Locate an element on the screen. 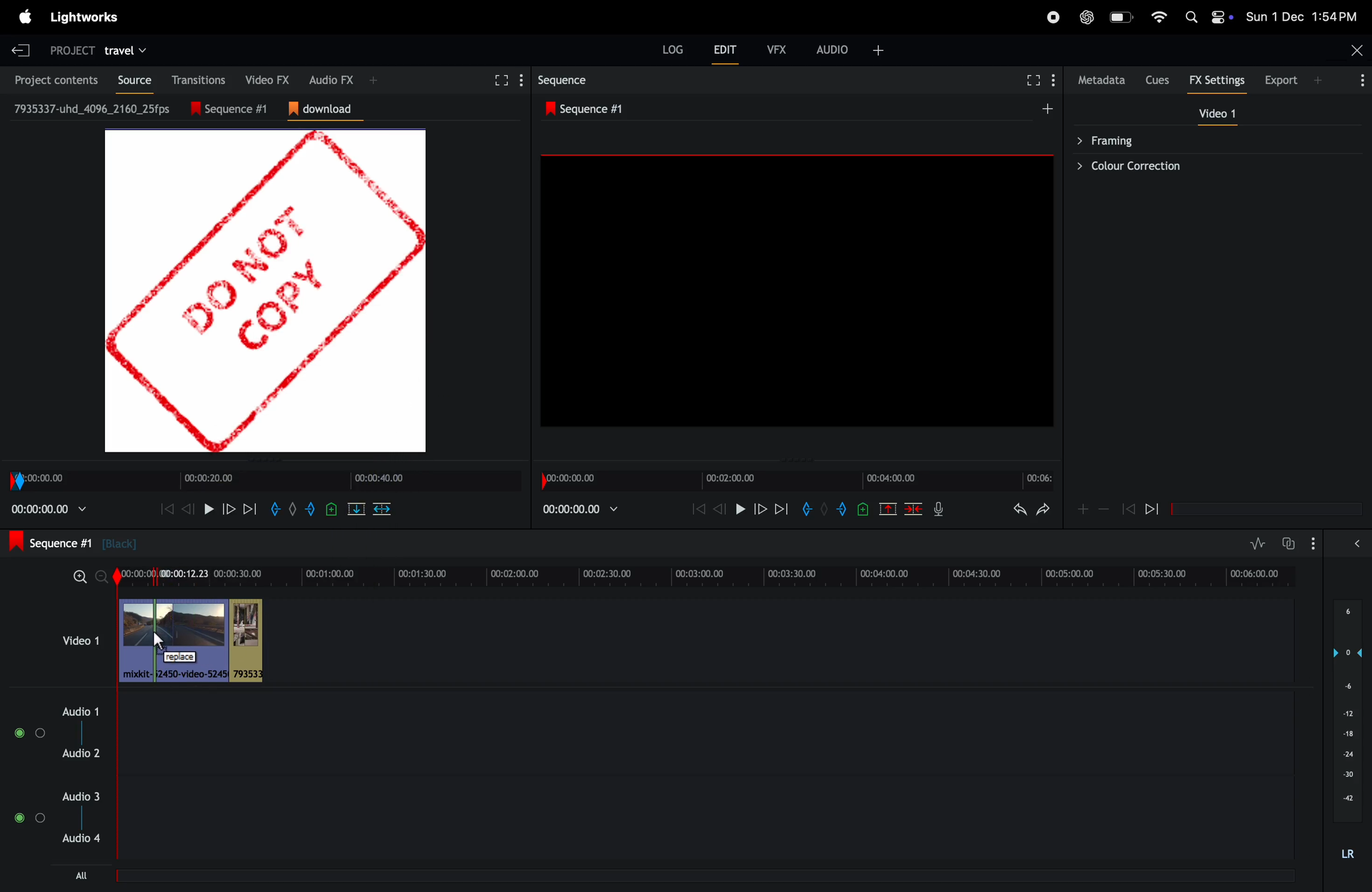  Watermark is located at coordinates (265, 291).